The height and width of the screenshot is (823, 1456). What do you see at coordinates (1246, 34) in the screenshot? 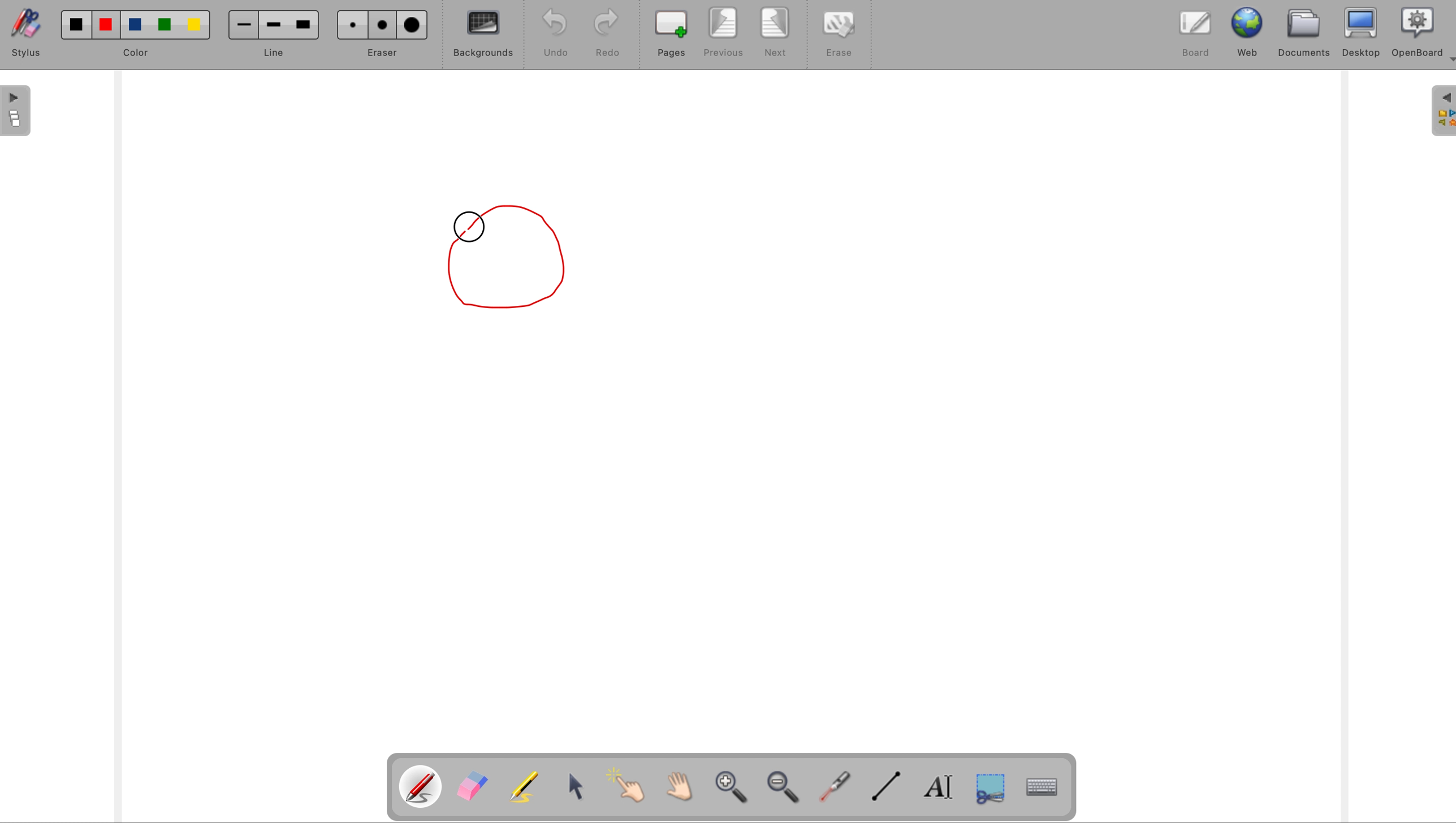
I see `web` at bounding box center [1246, 34].